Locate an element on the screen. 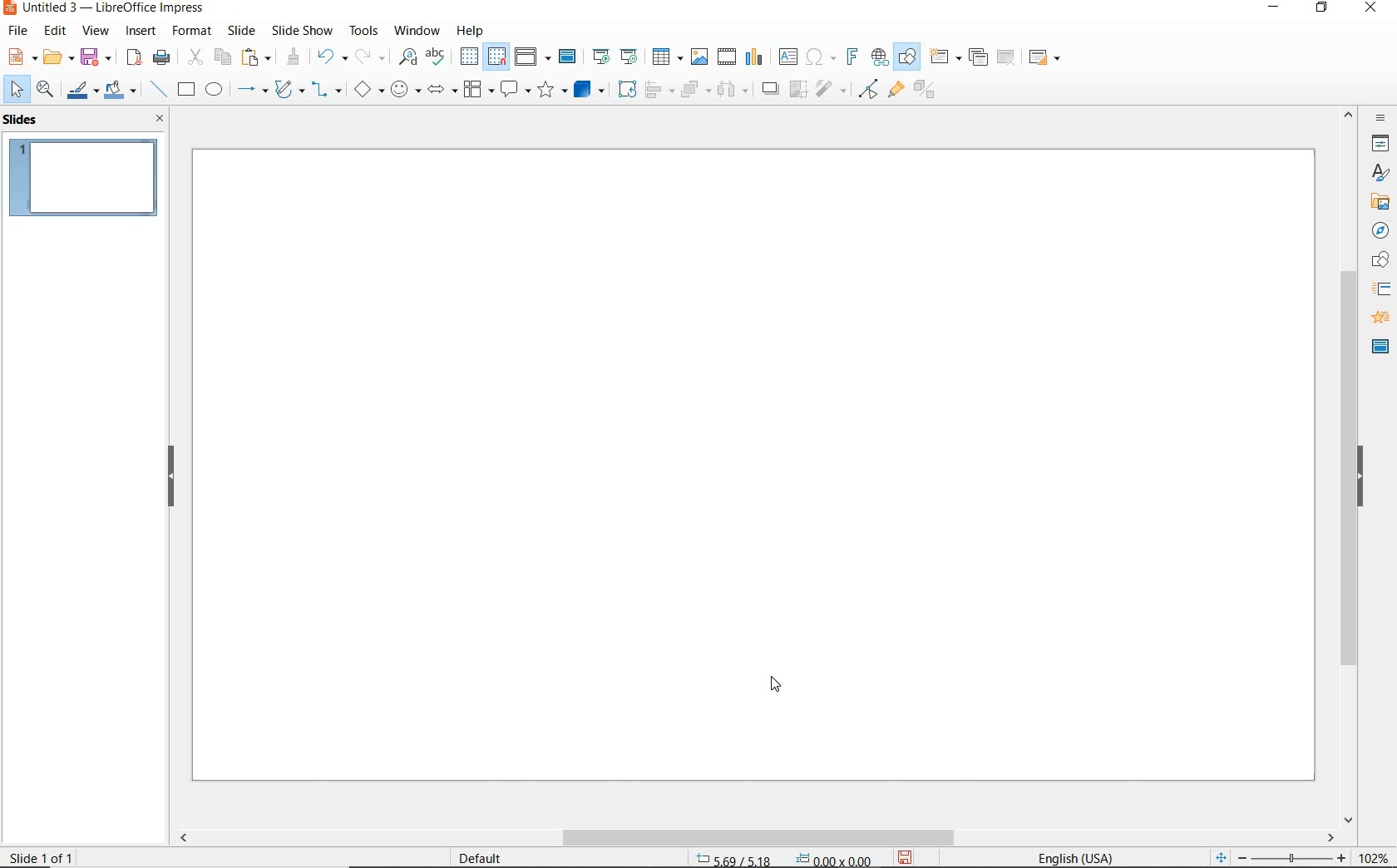 Image resolution: width=1397 pixels, height=868 pixels. ZOOM OUR OR ZOOM IN is located at coordinates (1278, 856).